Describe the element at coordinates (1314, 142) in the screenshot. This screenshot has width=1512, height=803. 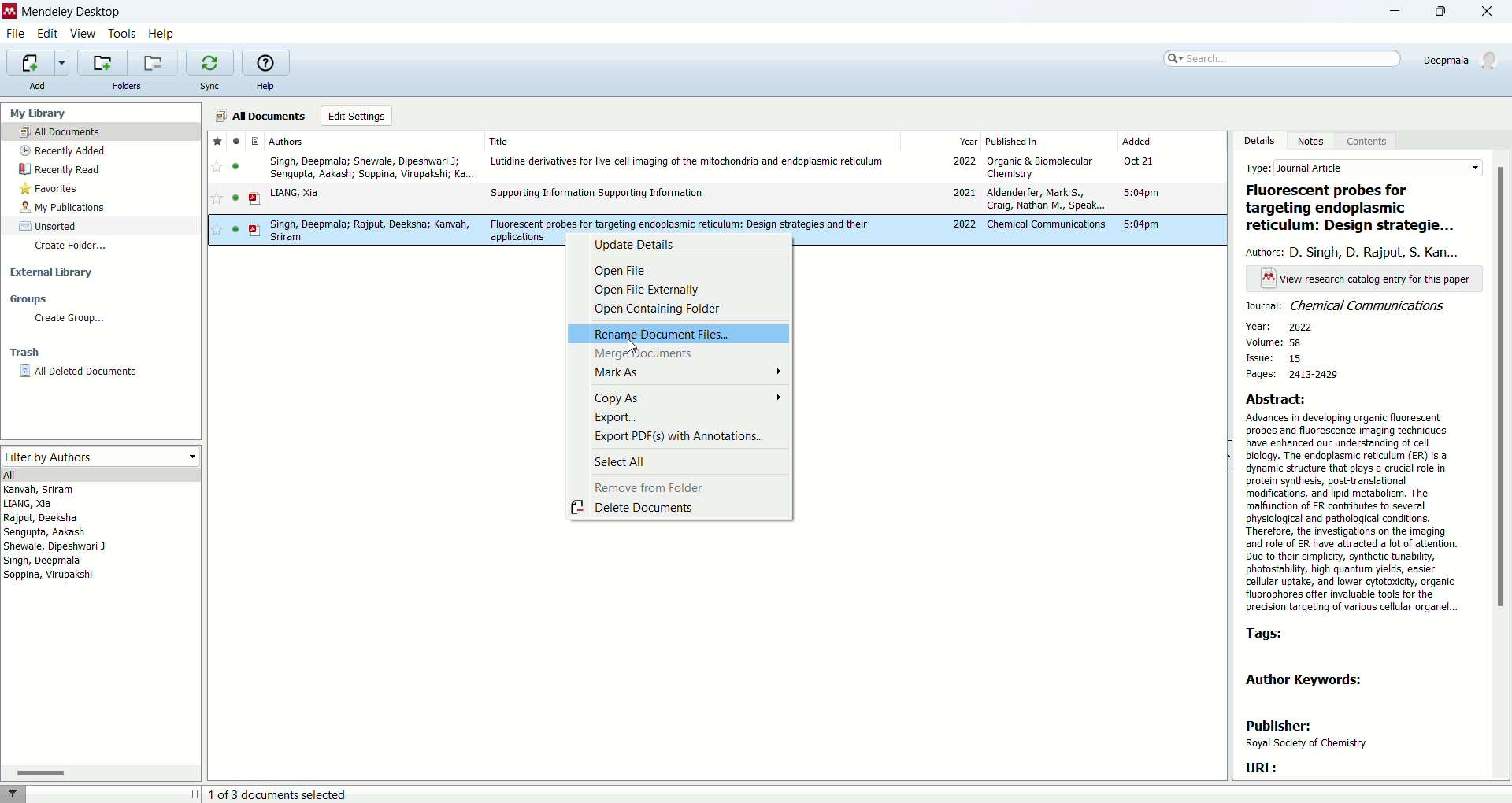
I see `notes` at that location.